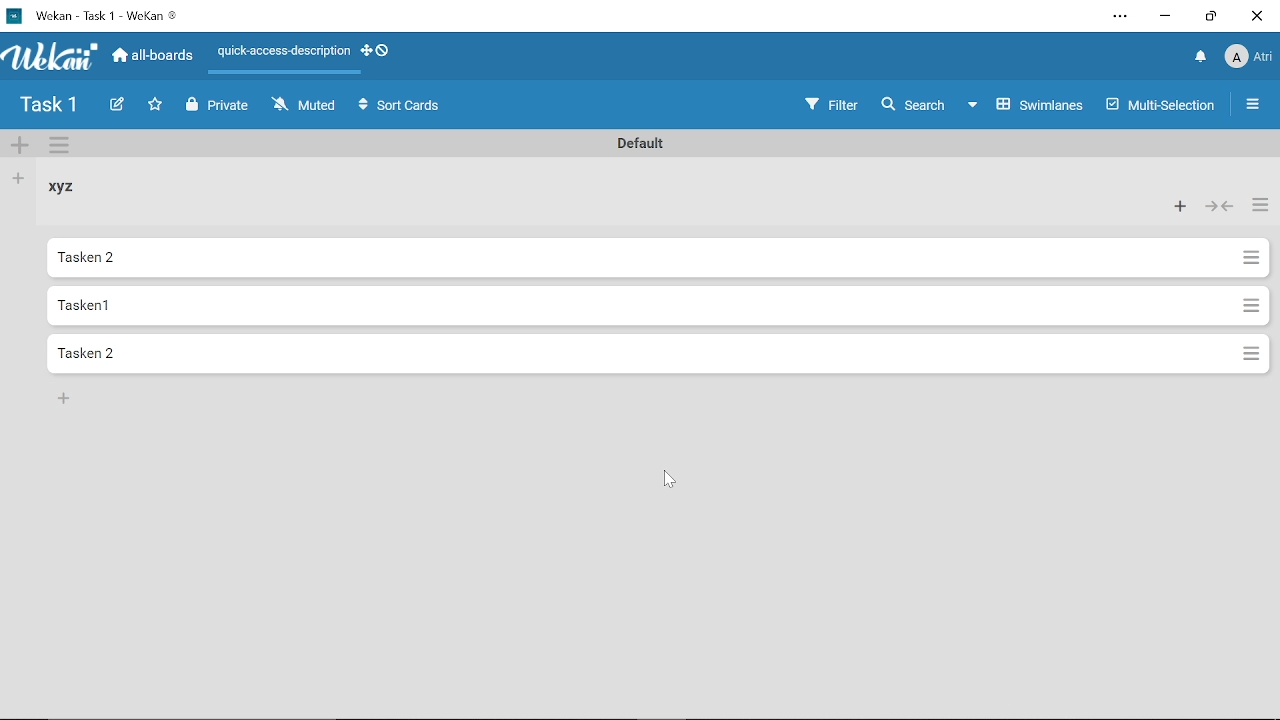 The width and height of the screenshot is (1280, 720). What do you see at coordinates (102, 16) in the screenshot?
I see `Current window` at bounding box center [102, 16].